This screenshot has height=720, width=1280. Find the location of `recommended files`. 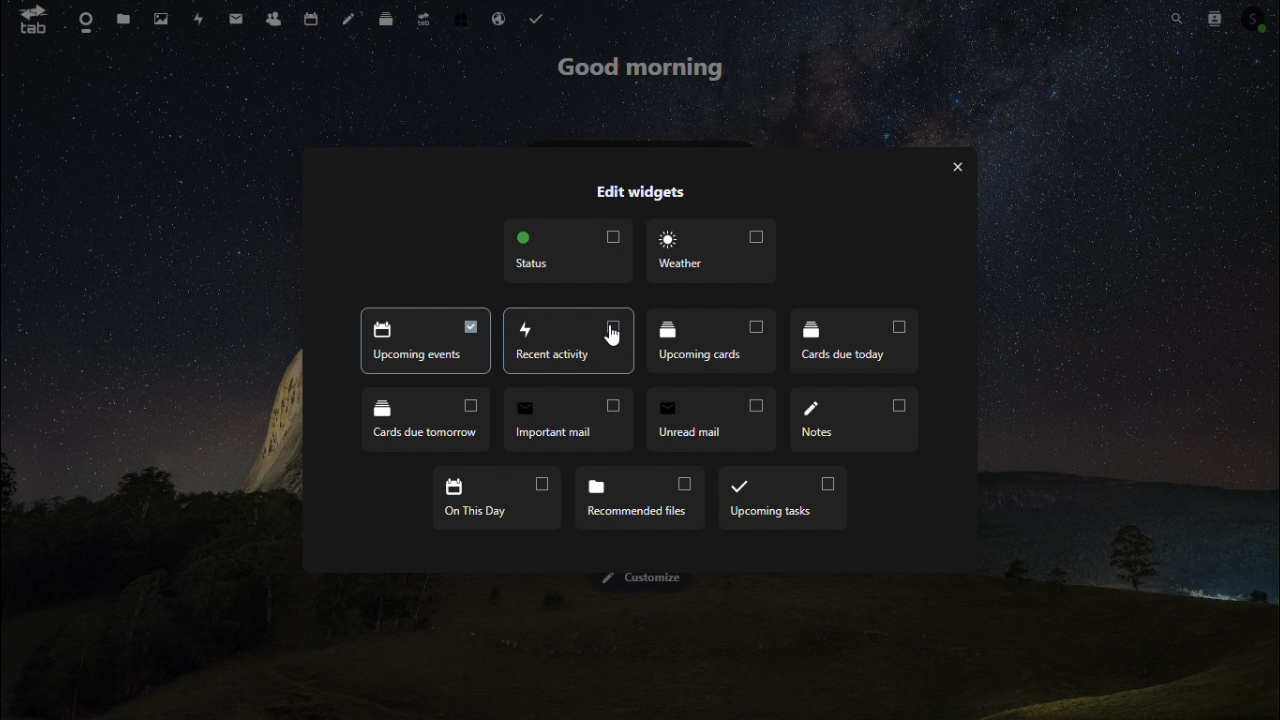

recommended files is located at coordinates (637, 497).